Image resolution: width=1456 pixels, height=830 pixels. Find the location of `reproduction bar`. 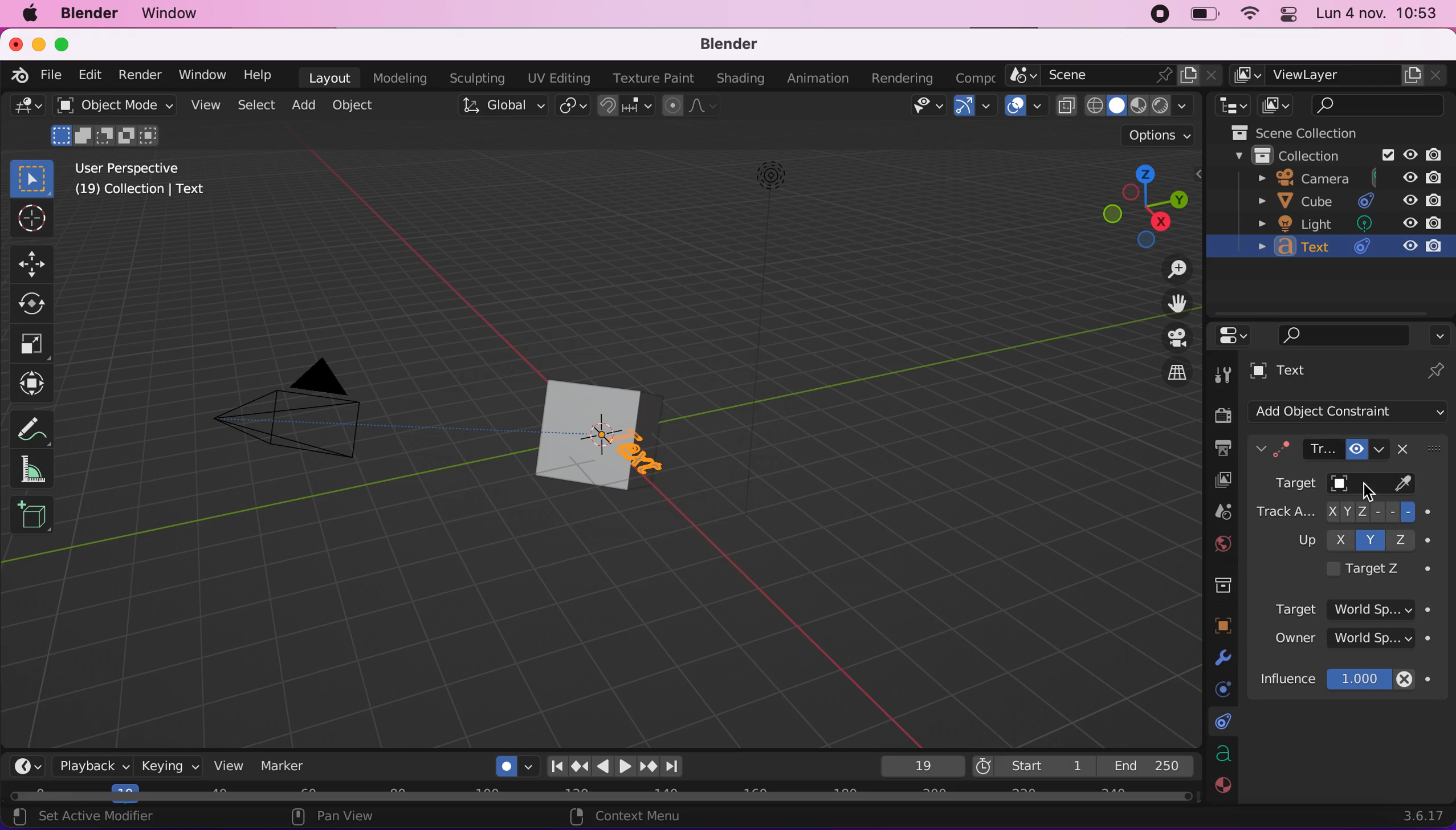

reproduction bar is located at coordinates (621, 766).